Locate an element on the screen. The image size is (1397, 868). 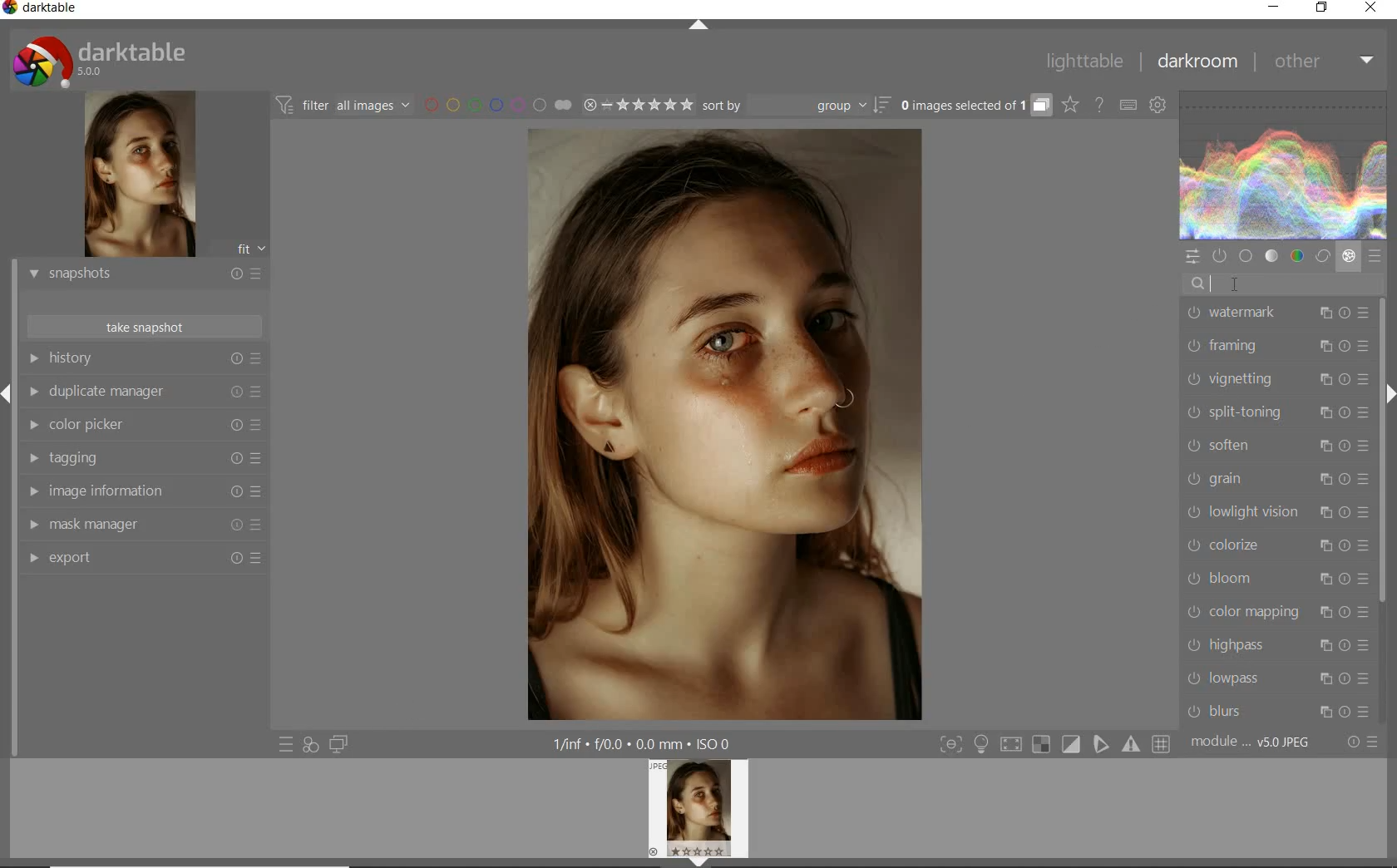
quick access to presets is located at coordinates (287, 743).